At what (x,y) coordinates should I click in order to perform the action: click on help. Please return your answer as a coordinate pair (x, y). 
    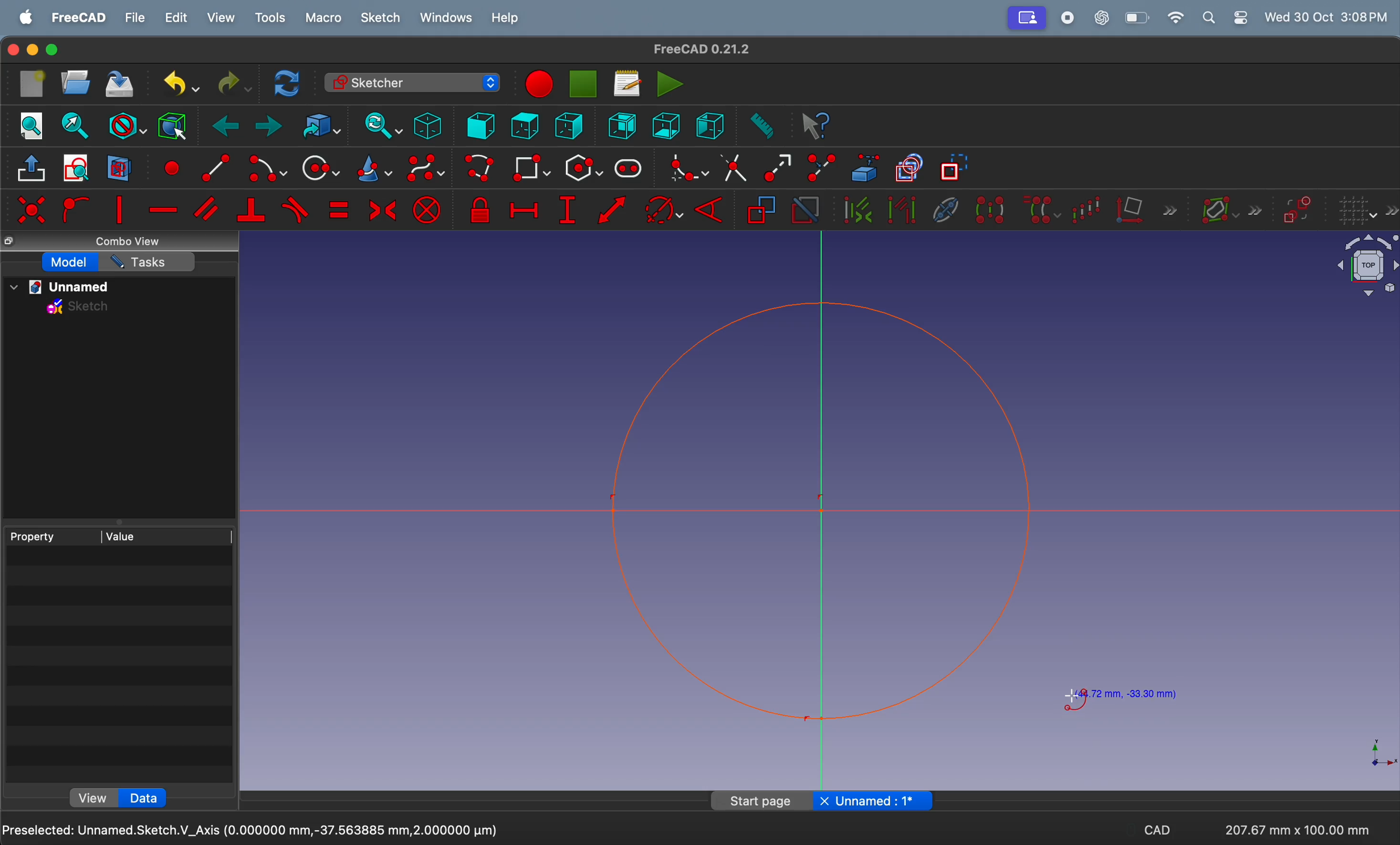
    Looking at the image, I should click on (505, 20).